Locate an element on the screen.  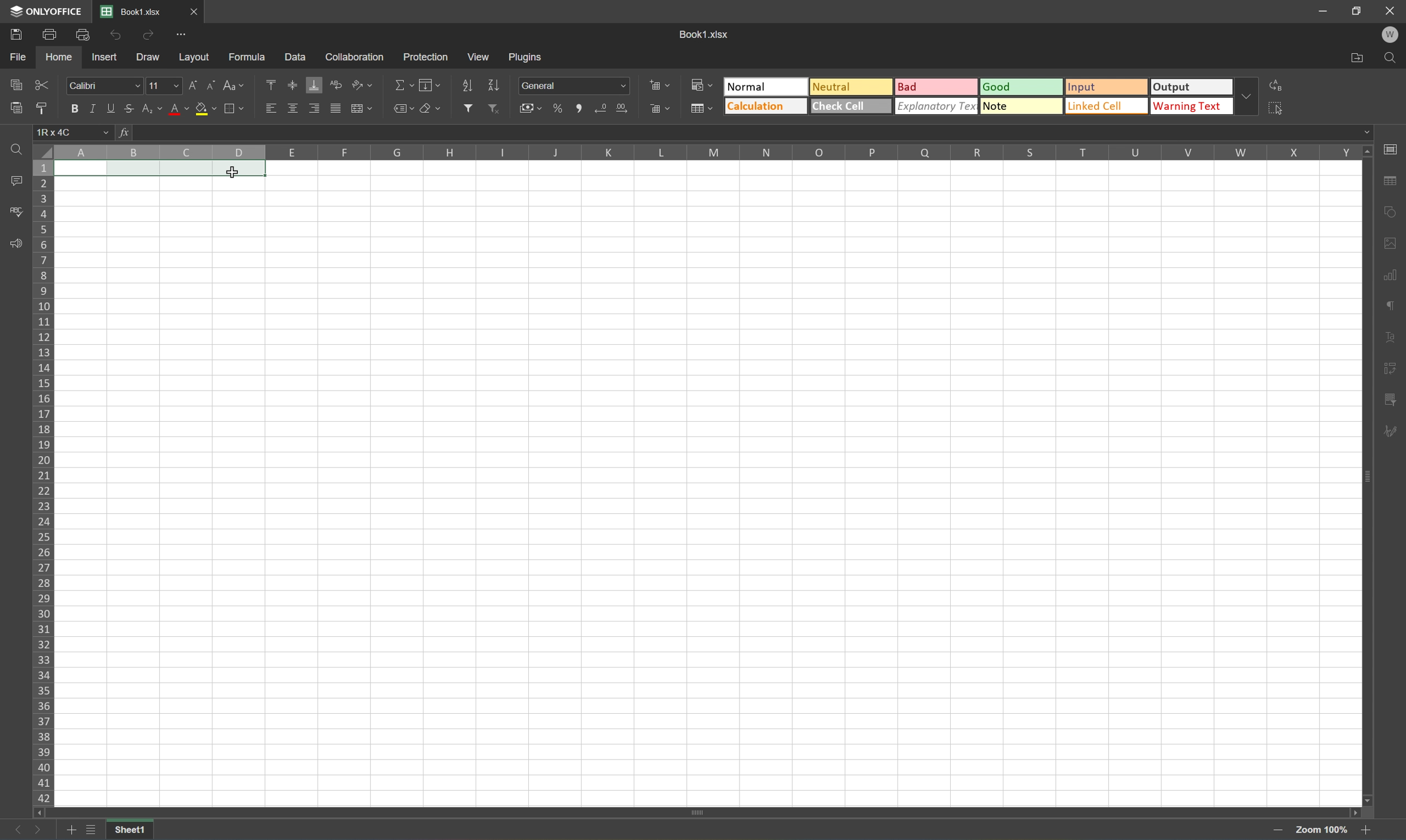
Scroll bar is located at coordinates (1364, 477).